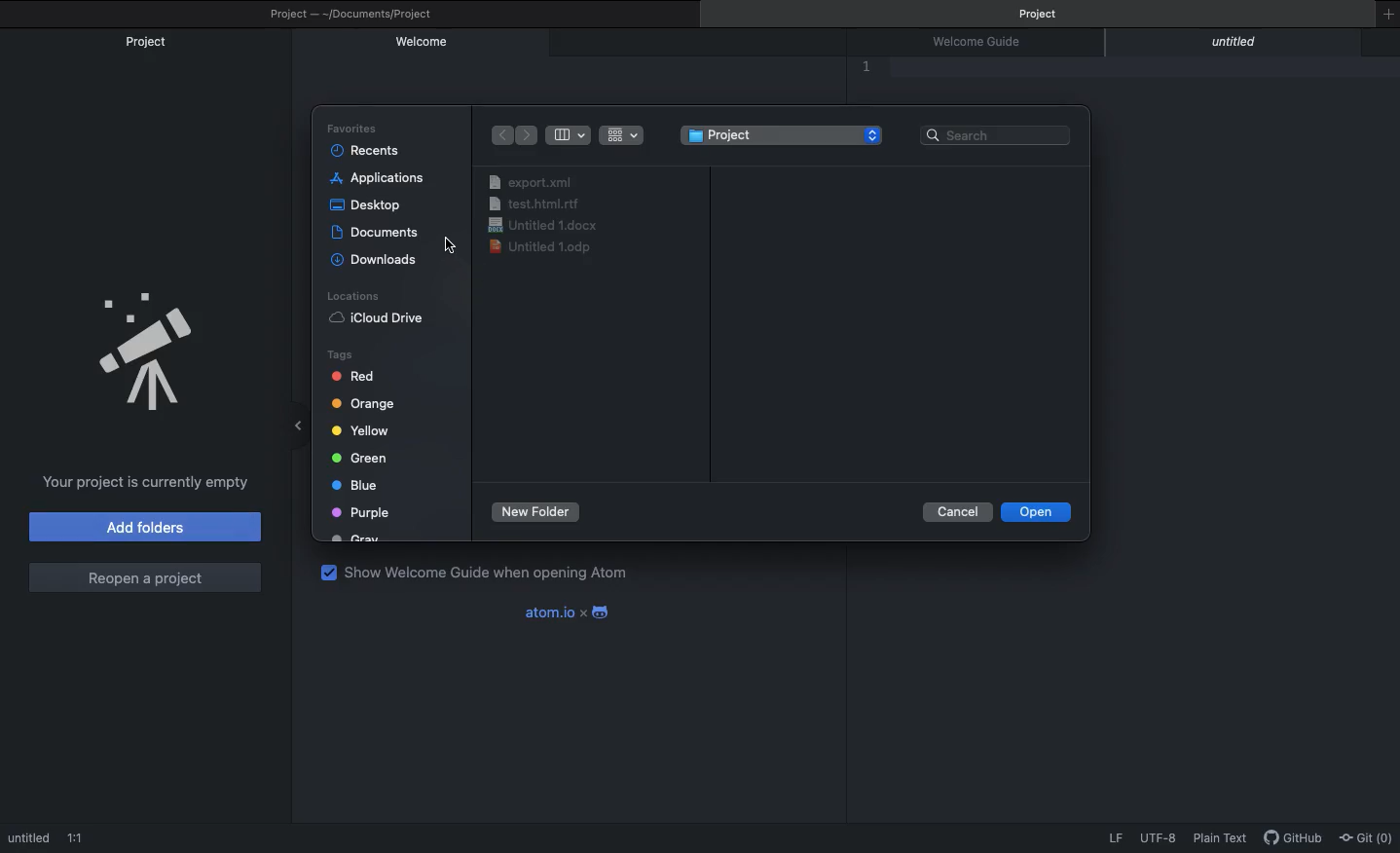 Image resolution: width=1400 pixels, height=853 pixels. I want to click on iCloud Drive, so click(381, 317).